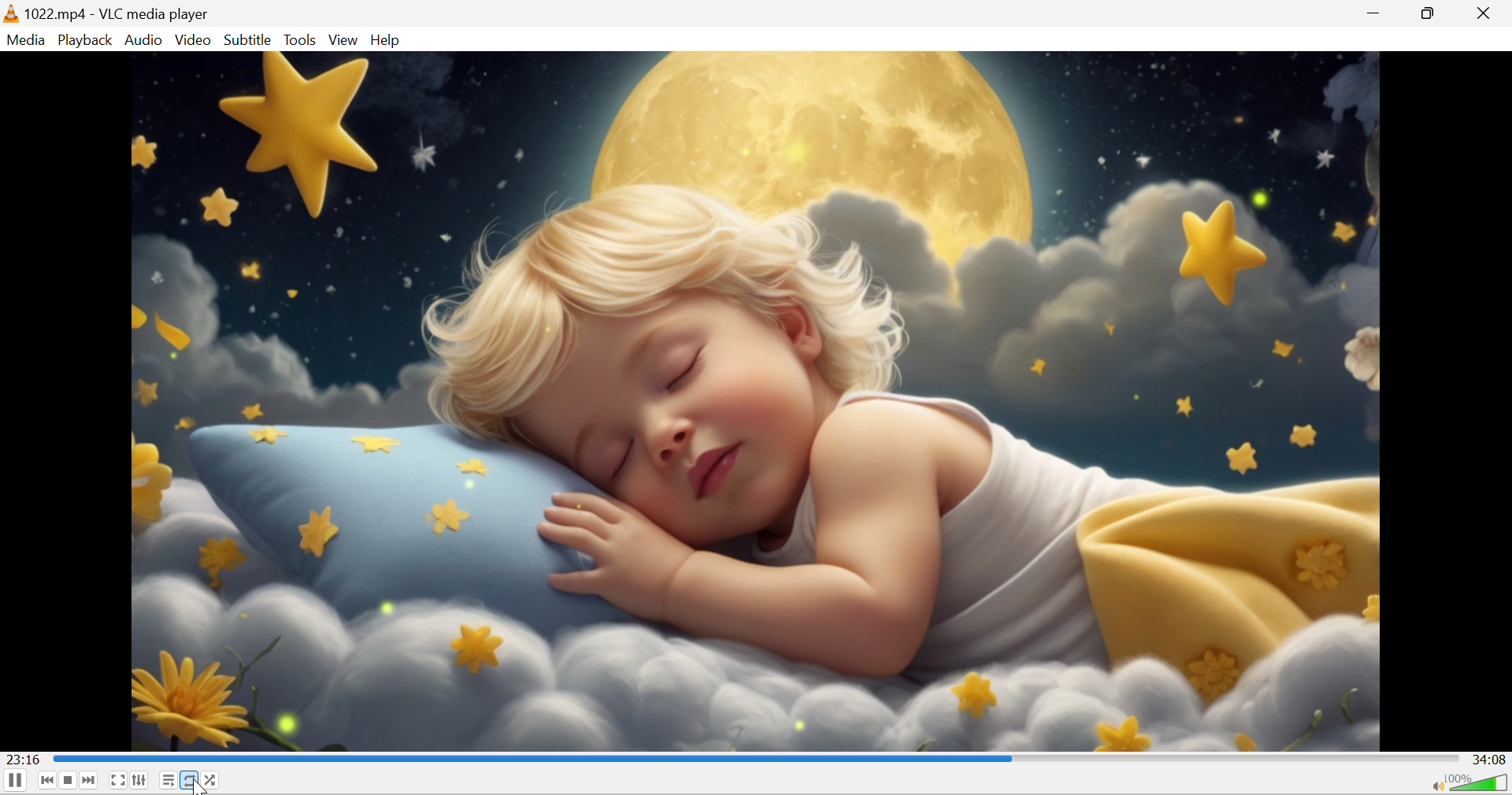 The height and width of the screenshot is (795, 1512). Describe the element at coordinates (141, 780) in the screenshot. I see `Show extended settings` at that location.